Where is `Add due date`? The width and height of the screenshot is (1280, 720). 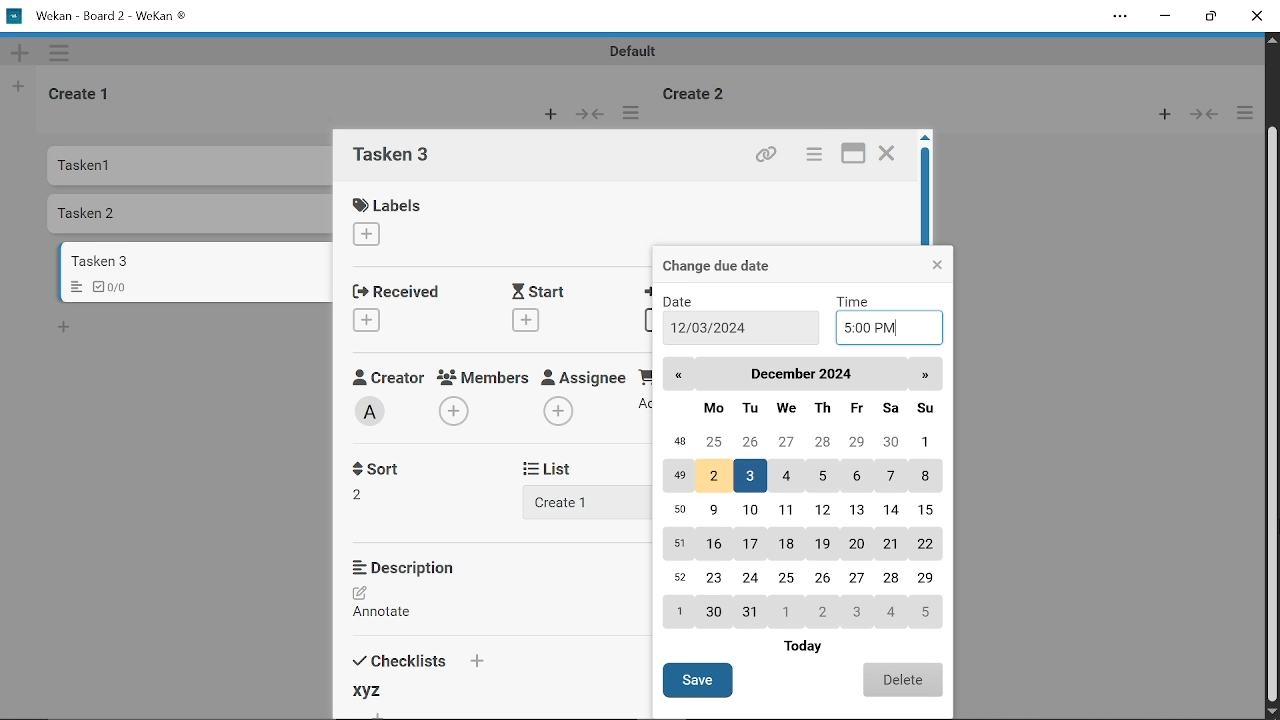
Add due date is located at coordinates (650, 321).